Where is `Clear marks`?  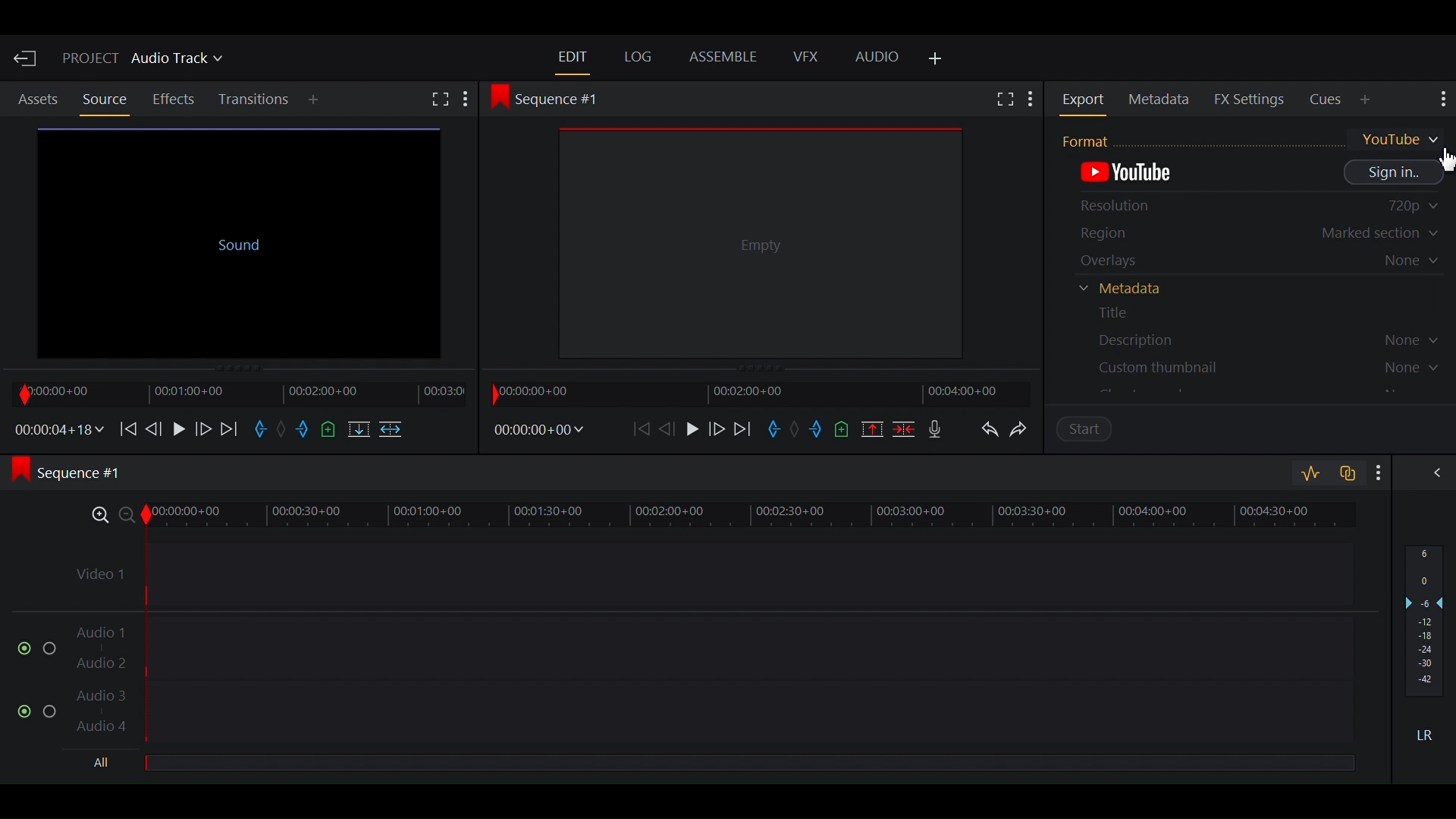 Clear marks is located at coordinates (284, 431).